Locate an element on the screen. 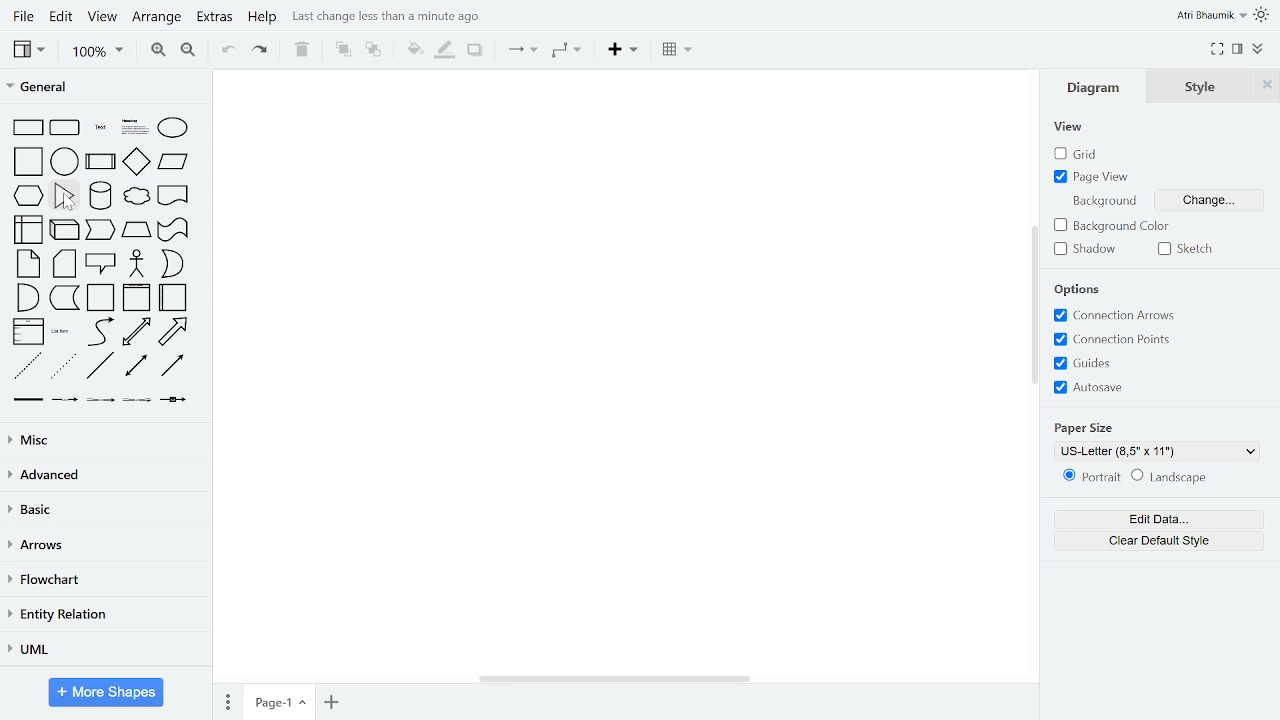 This screenshot has width=1280, height=720. note is located at coordinates (24, 264).